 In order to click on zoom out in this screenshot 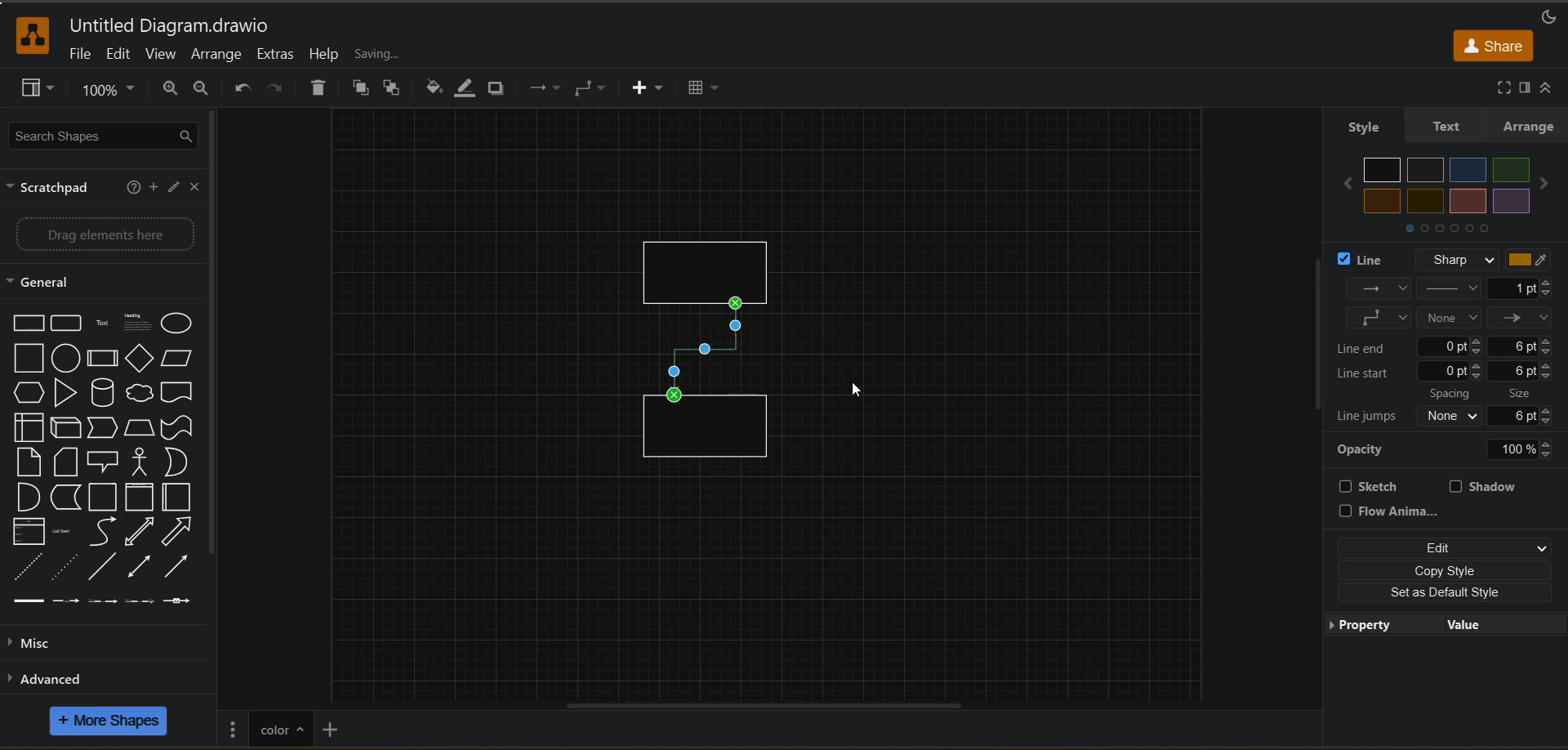, I will do `click(208, 90)`.